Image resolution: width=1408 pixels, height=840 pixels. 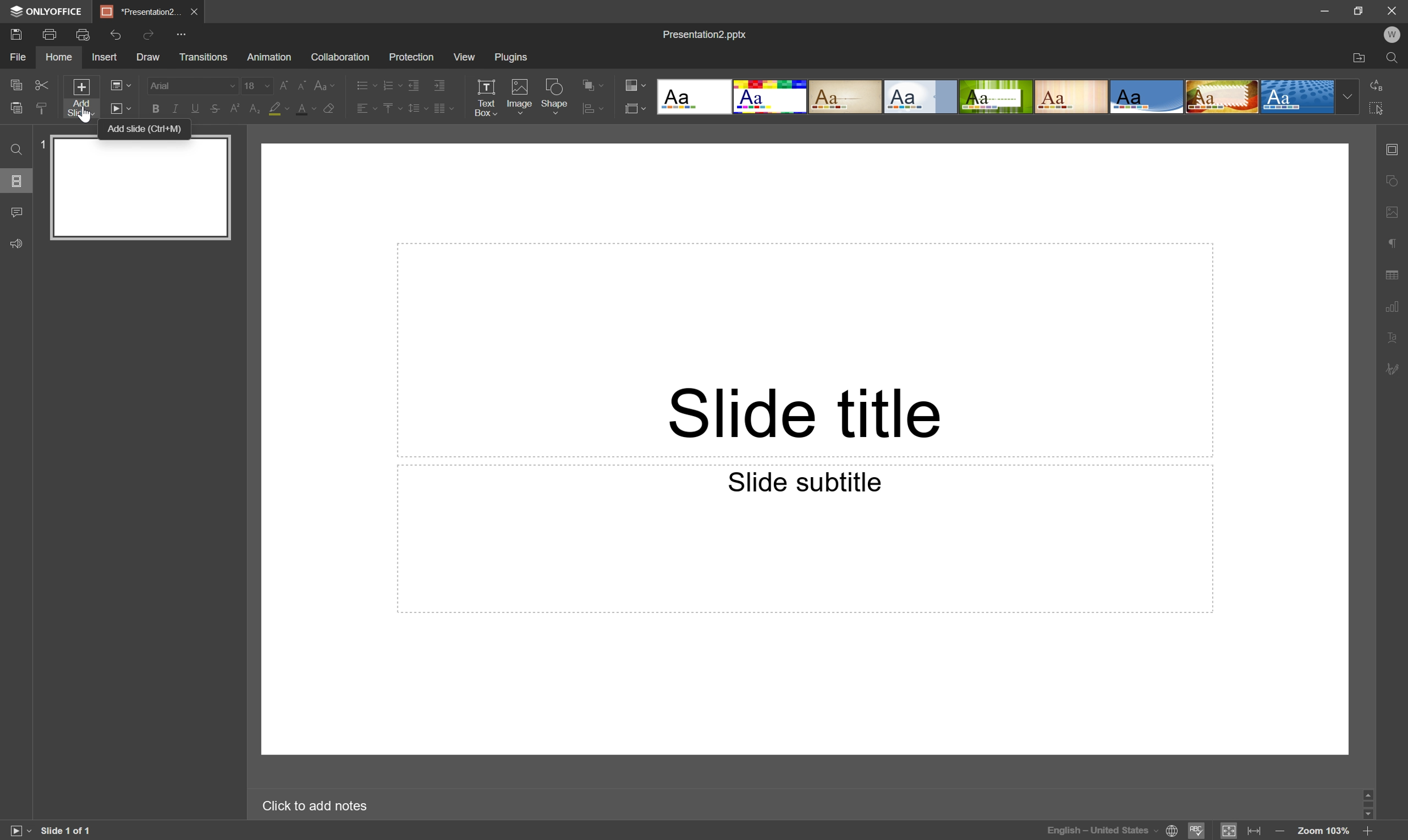 What do you see at coordinates (193, 10) in the screenshot?
I see `Close` at bounding box center [193, 10].